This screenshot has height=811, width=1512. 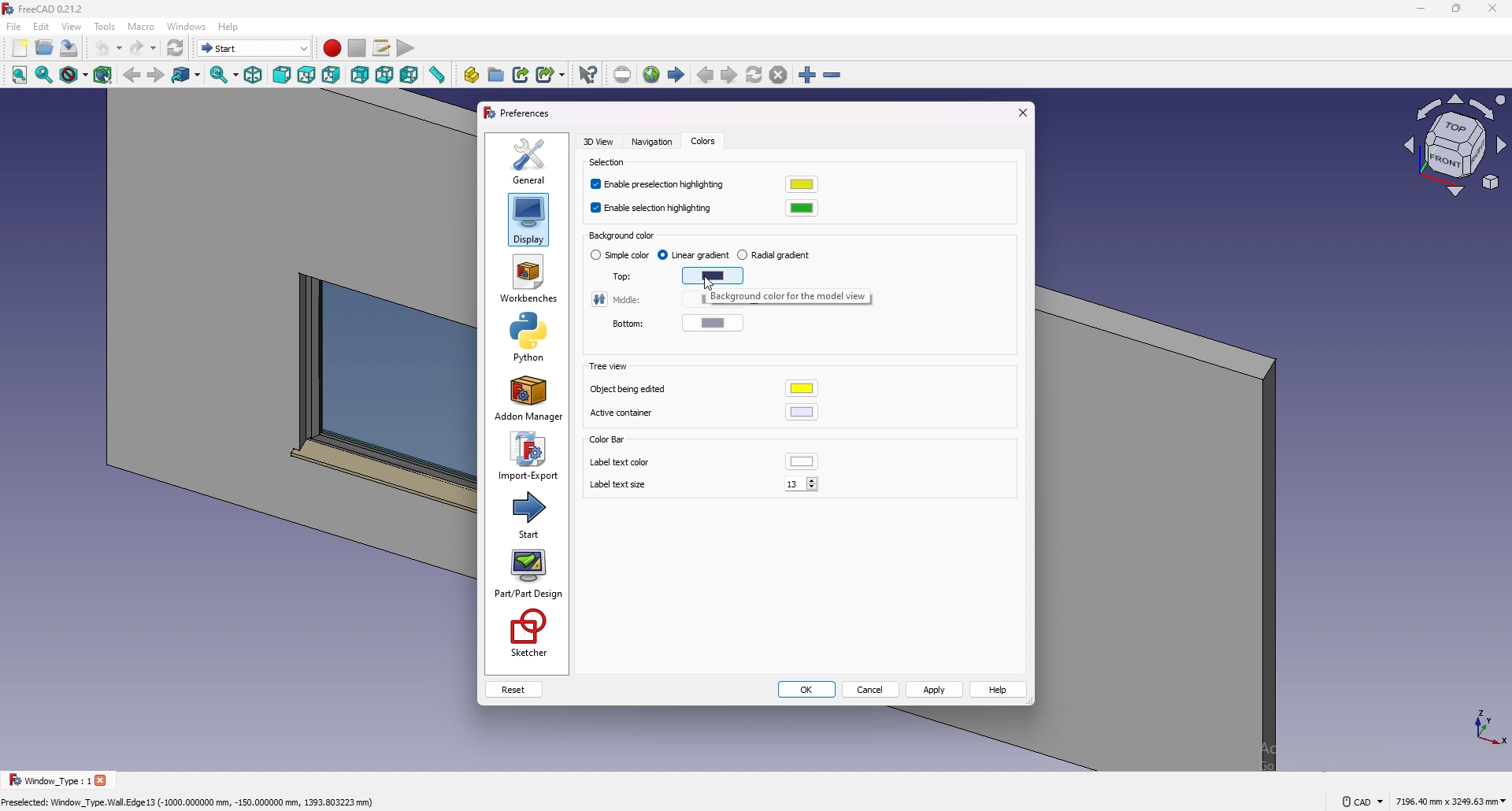 What do you see at coordinates (832, 76) in the screenshot?
I see `zoom out` at bounding box center [832, 76].